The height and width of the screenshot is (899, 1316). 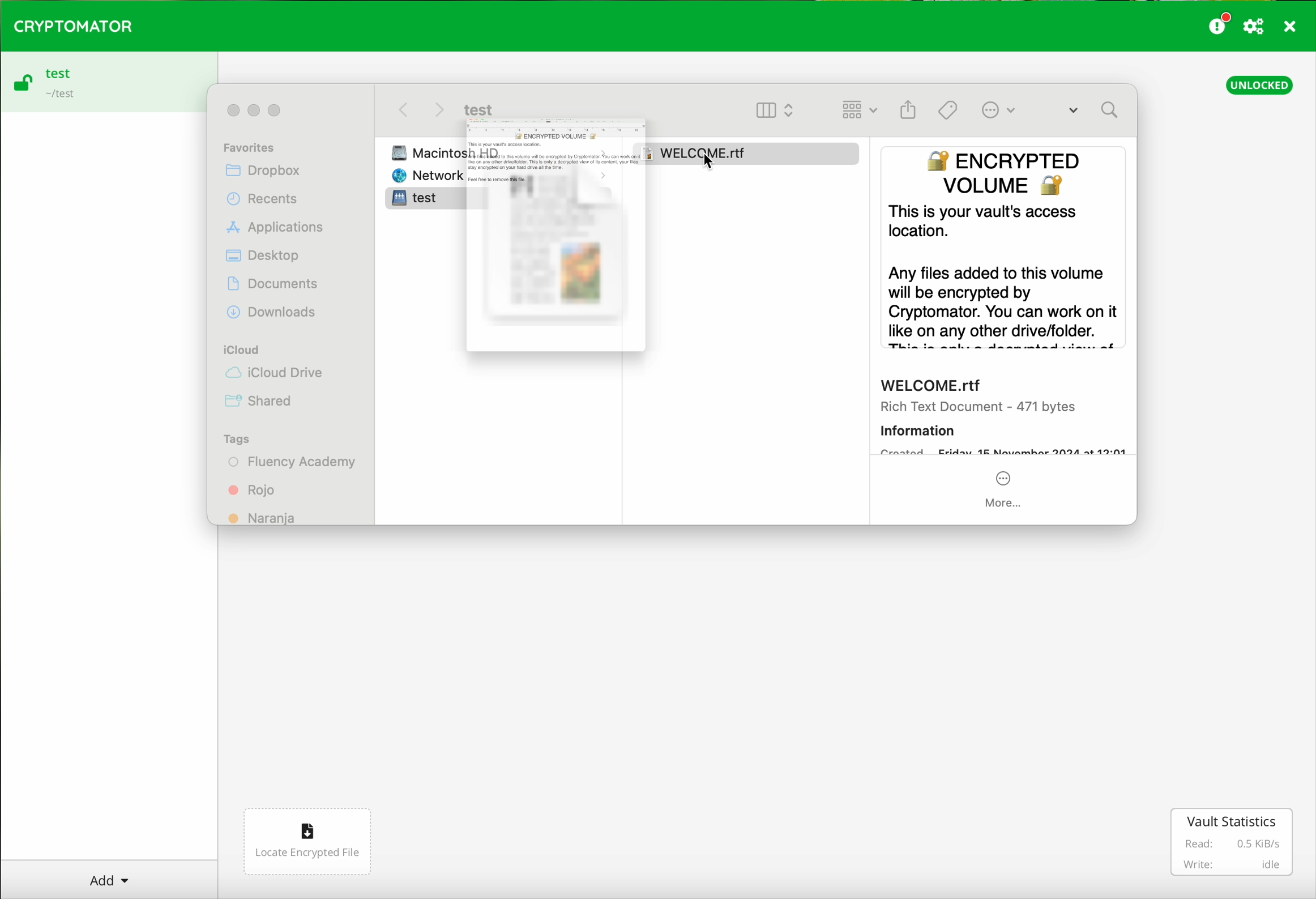 I want to click on Next, so click(x=439, y=110).